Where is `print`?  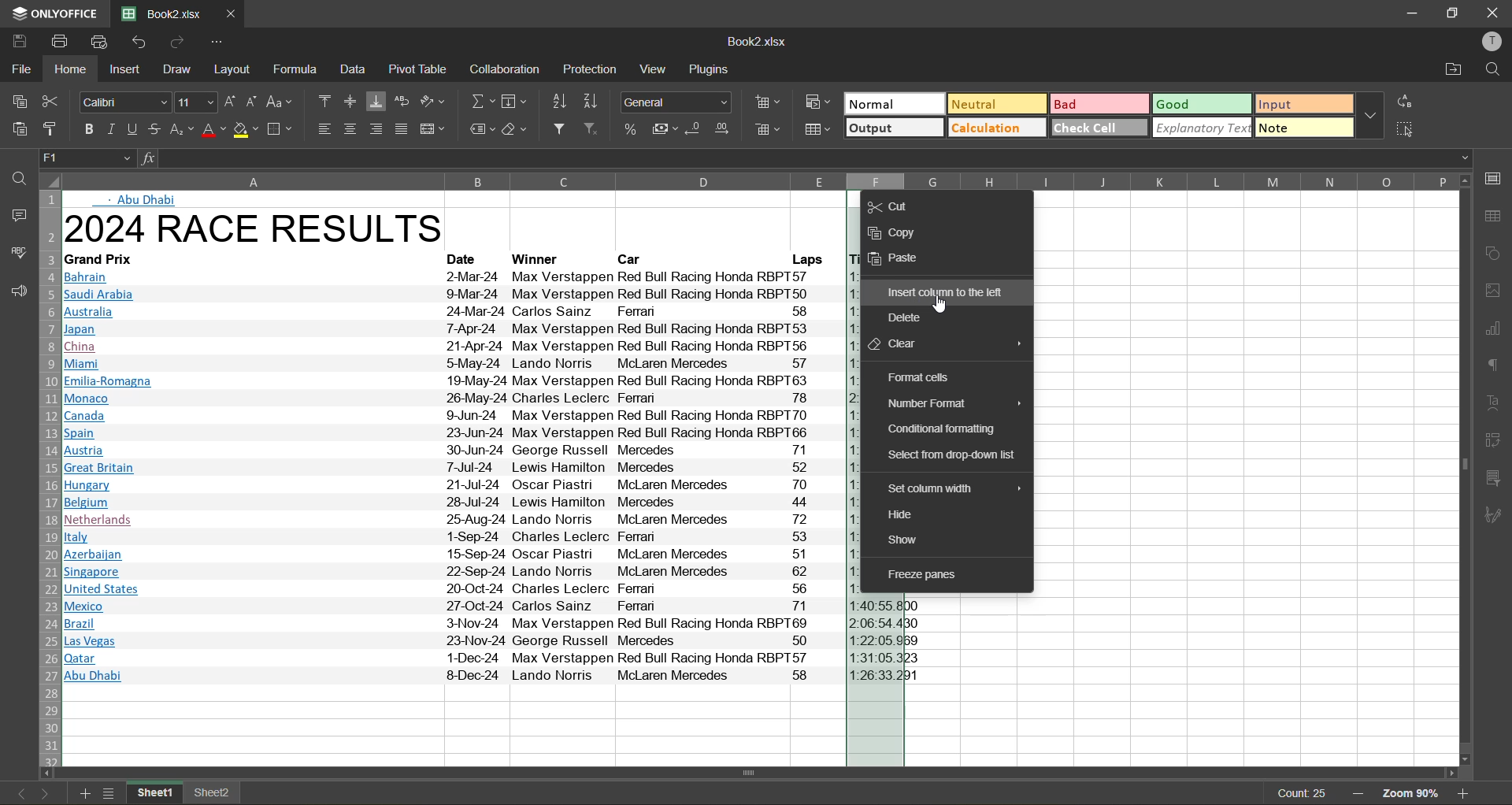 print is located at coordinates (61, 42).